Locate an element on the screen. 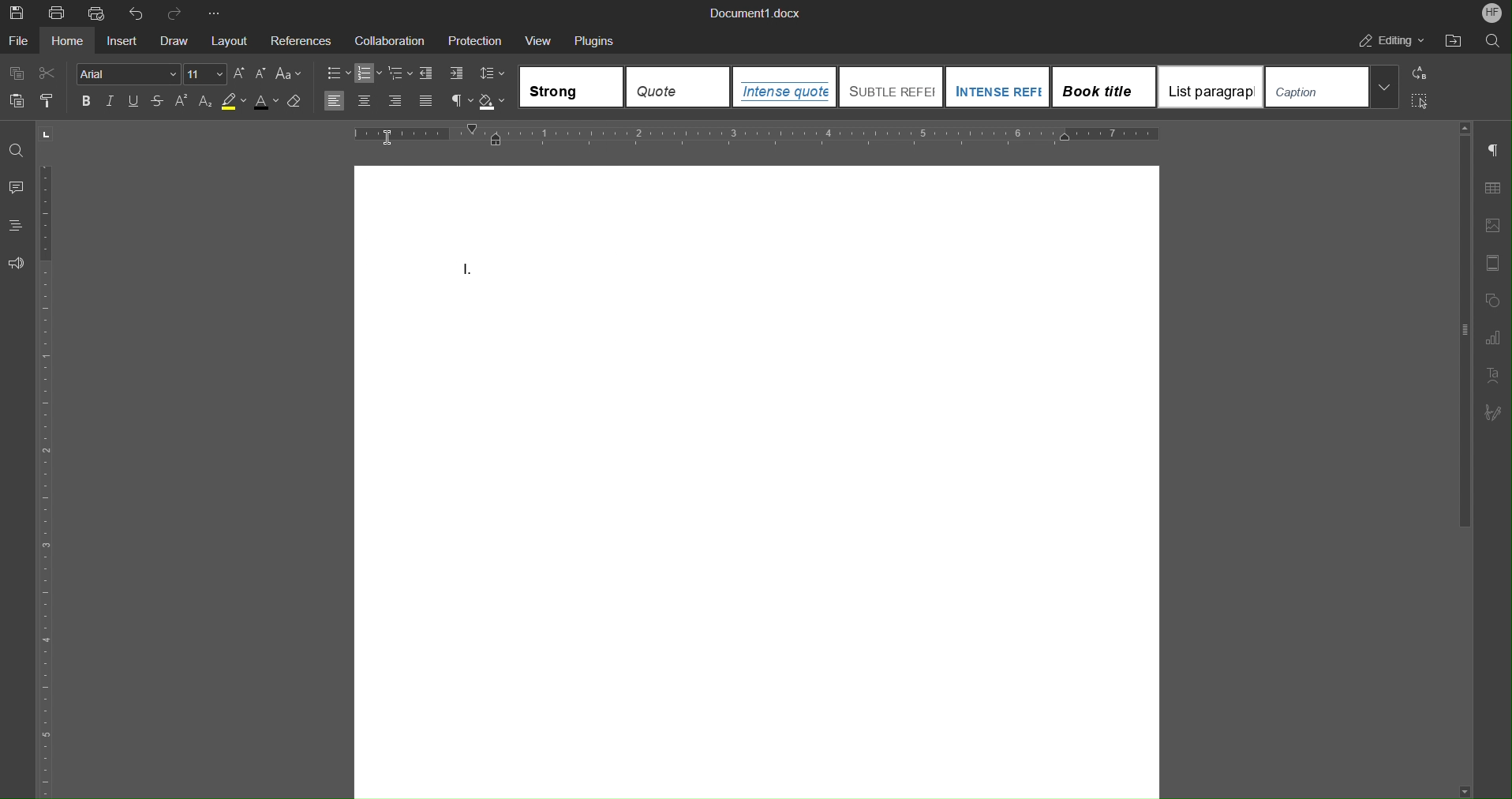 This screenshot has height=799, width=1512. Heading 3 is located at coordinates (997, 85).